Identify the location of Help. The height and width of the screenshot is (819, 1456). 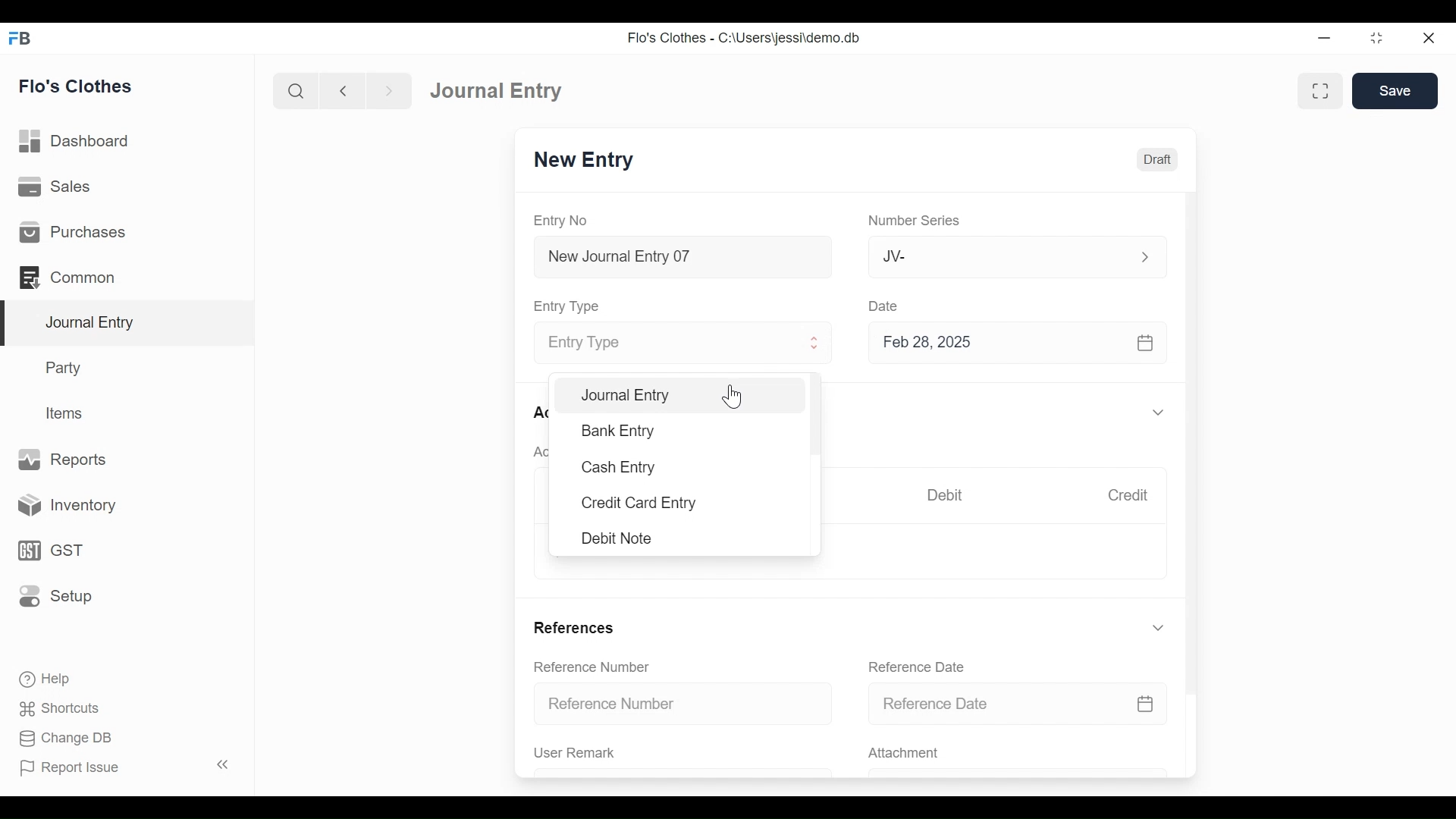
(43, 677).